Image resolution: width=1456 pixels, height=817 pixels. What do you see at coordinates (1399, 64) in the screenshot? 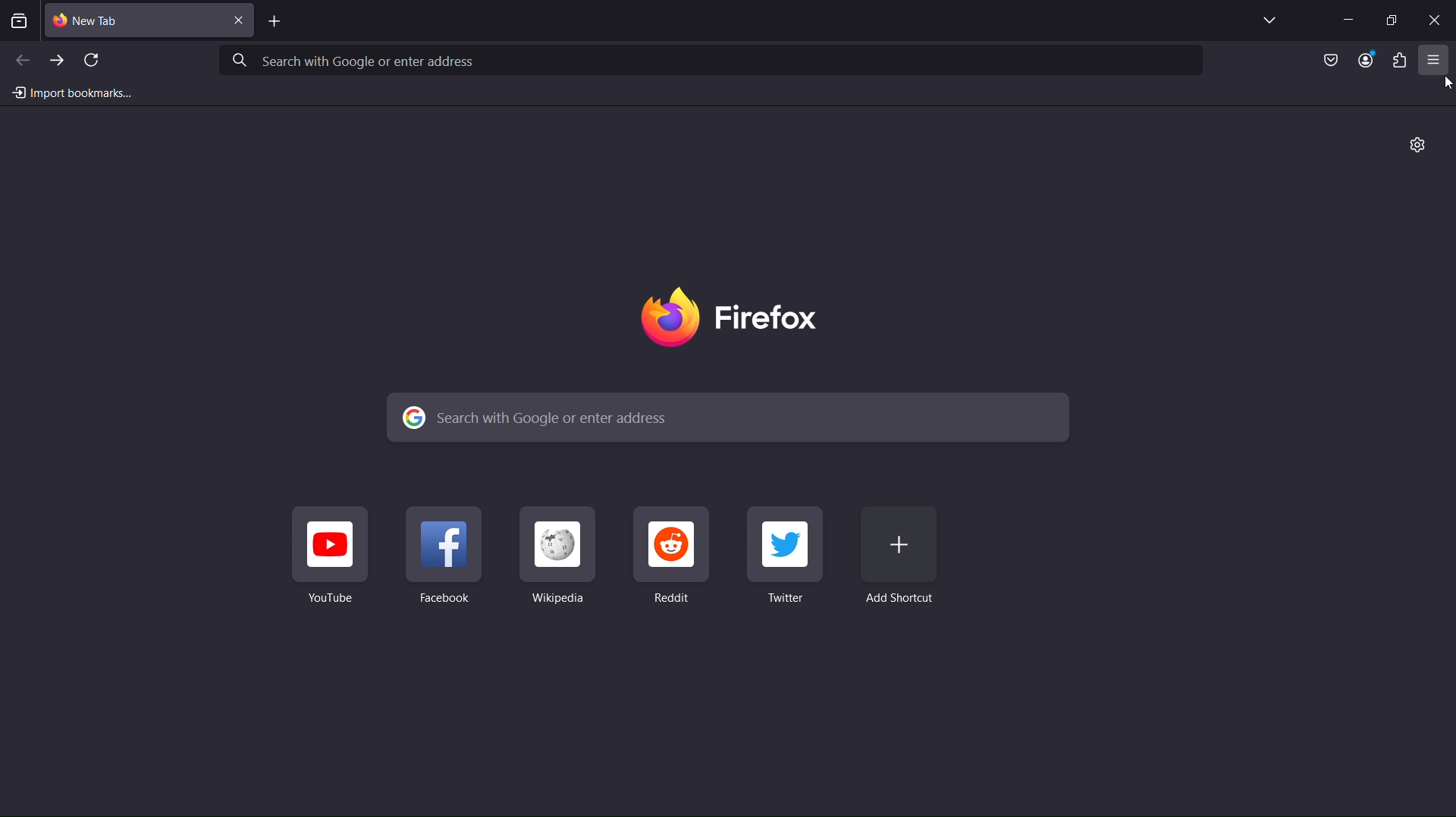
I see `Plugins` at bounding box center [1399, 64].